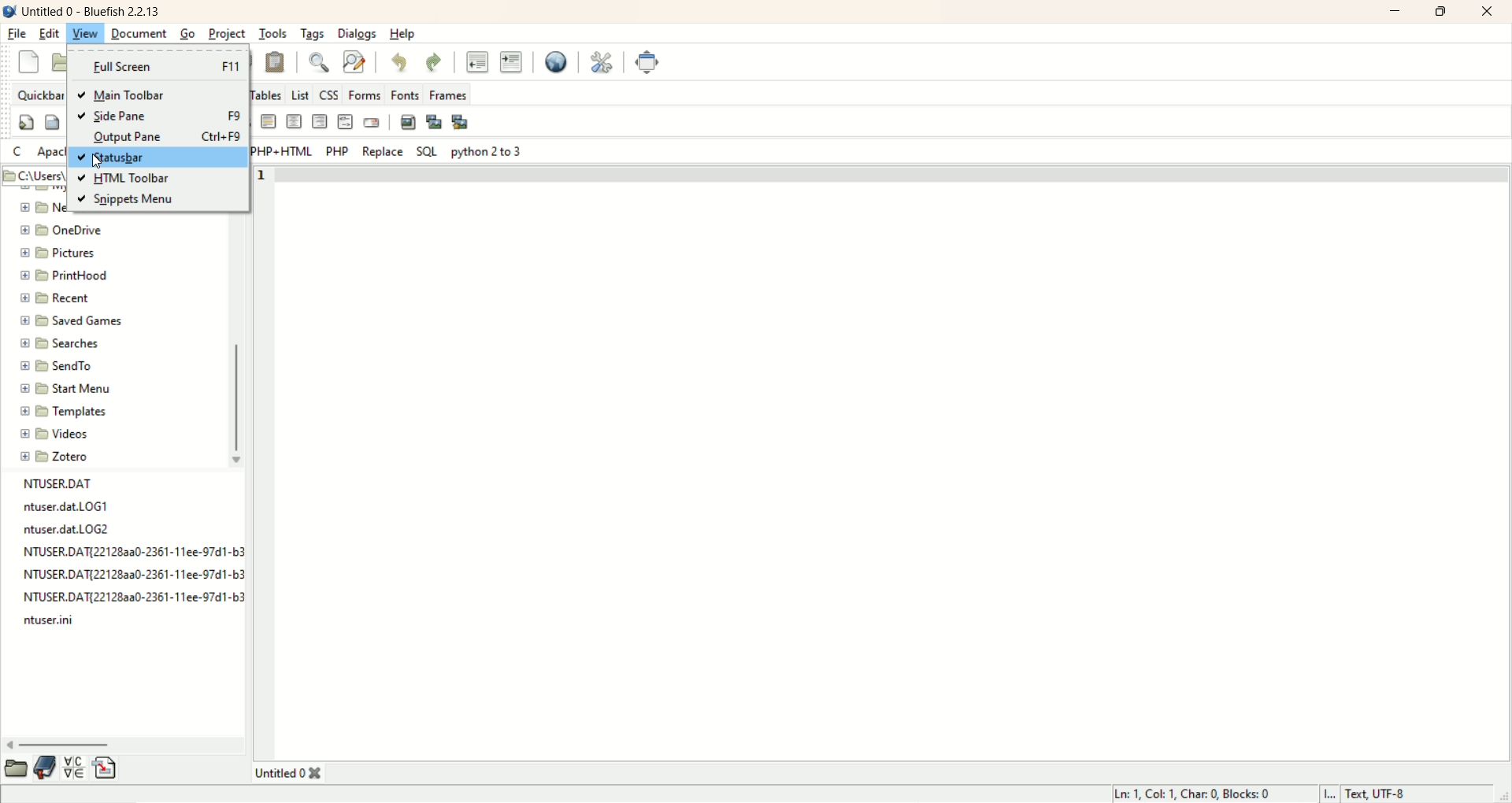  What do you see at coordinates (328, 94) in the screenshot?
I see `CSS` at bounding box center [328, 94].